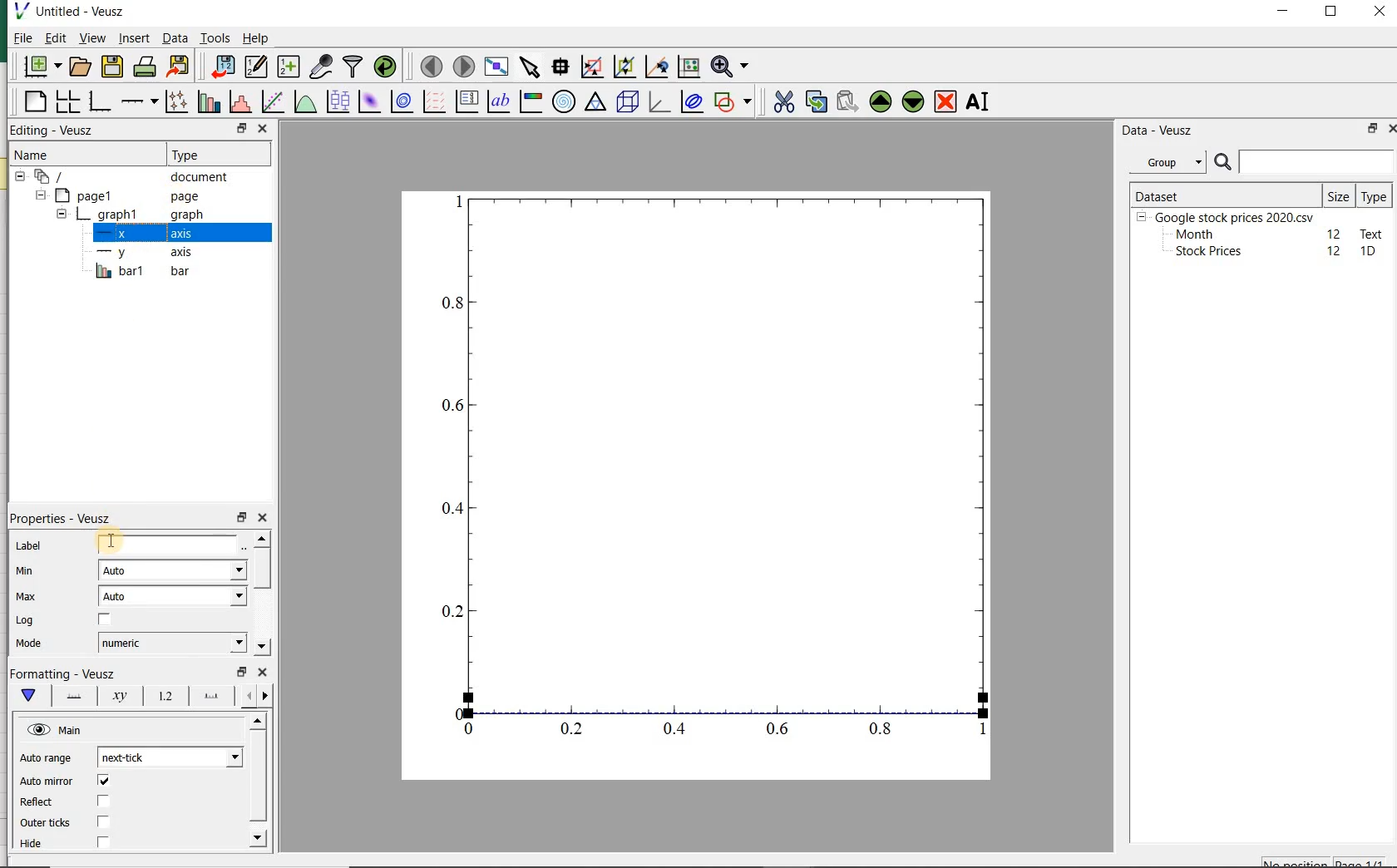  What do you see at coordinates (559, 67) in the screenshot?
I see `read data points on the graph` at bounding box center [559, 67].